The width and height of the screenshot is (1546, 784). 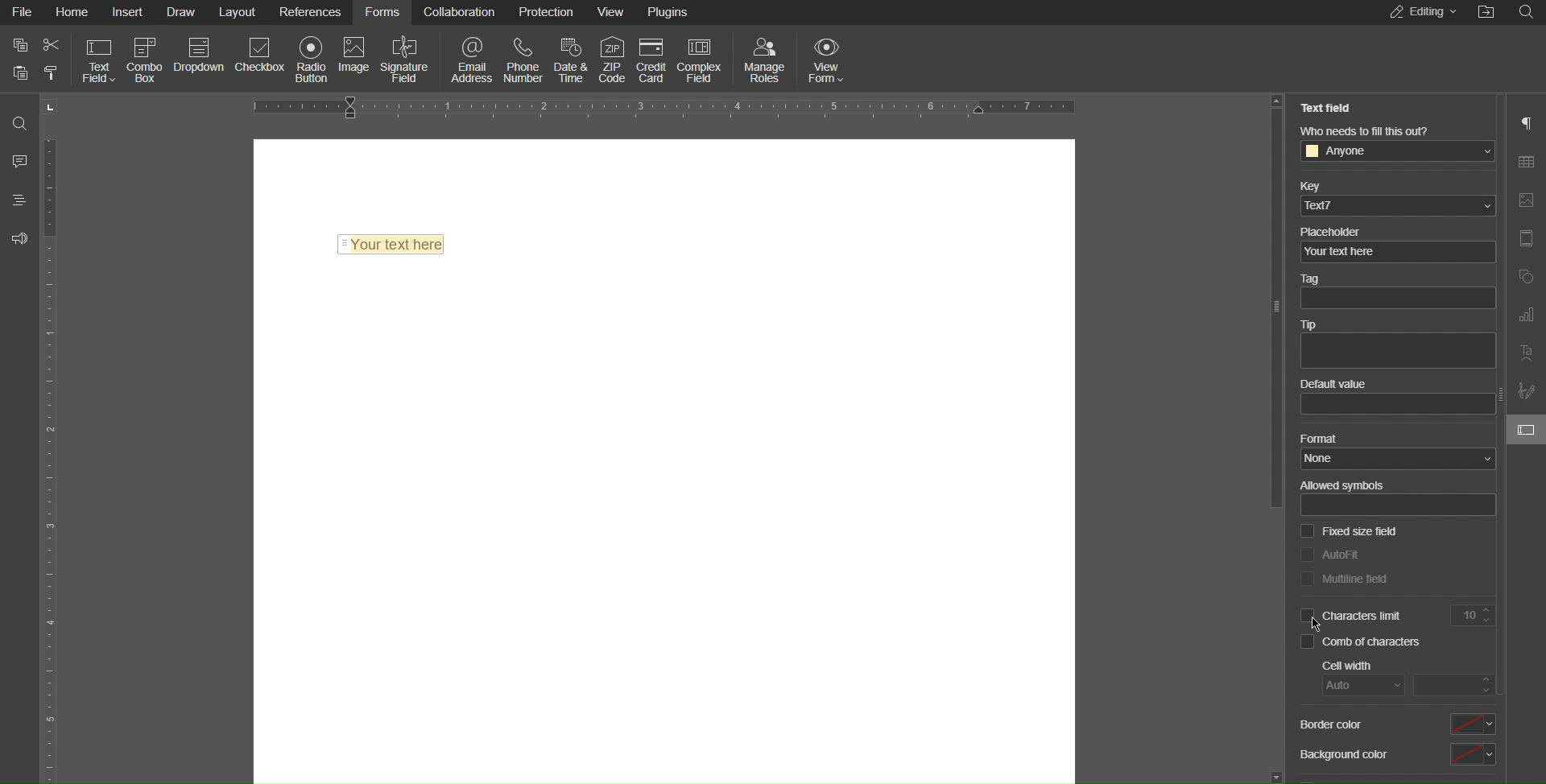 I want to click on Search, so click(x=18, y=118).